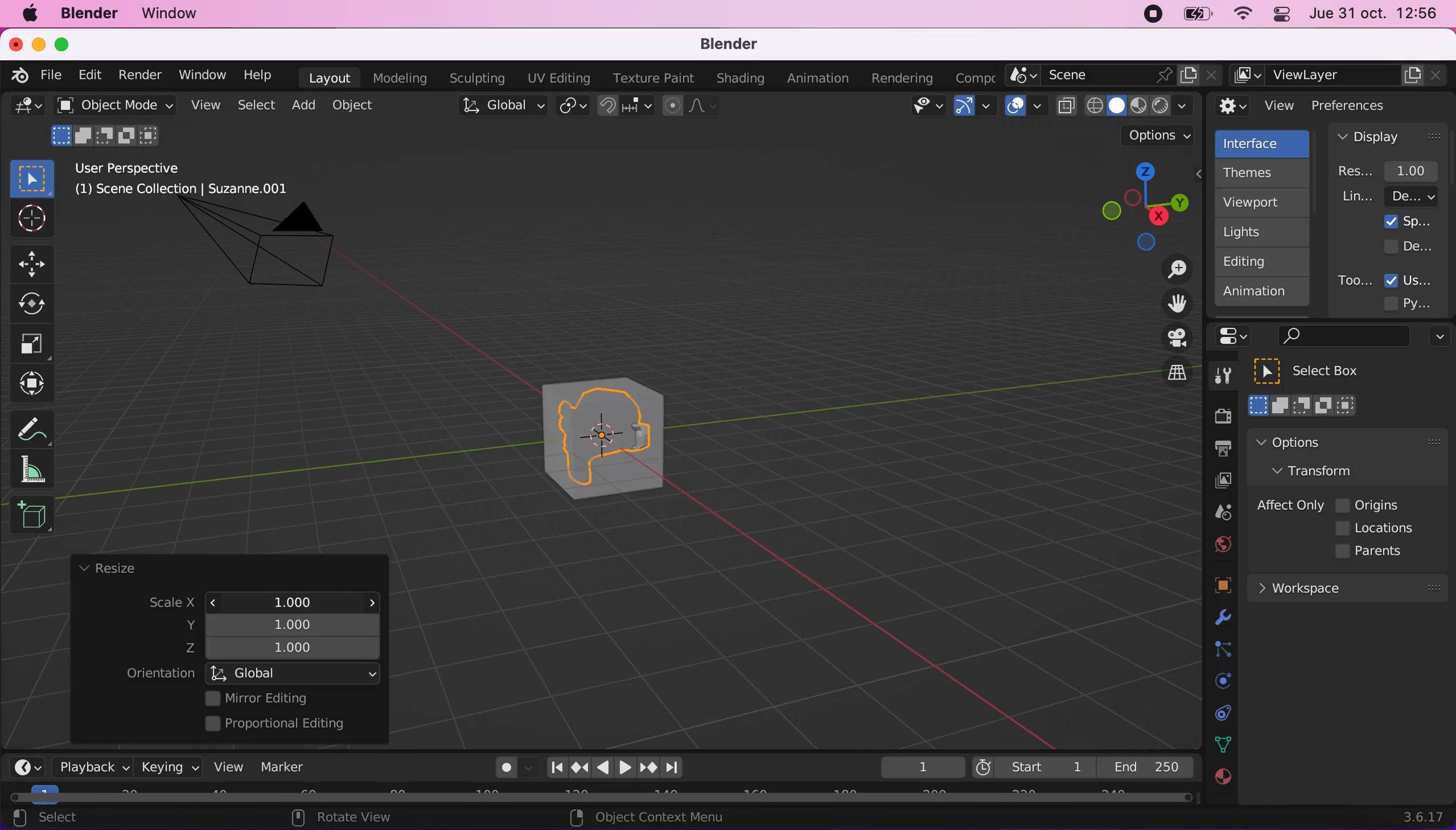 The height and width of the screenshot is (830, 1456). What do you see at coordinates (1216, 682) in the screenshot?
I see `physics prompts` at bounding box center [1216, 682].